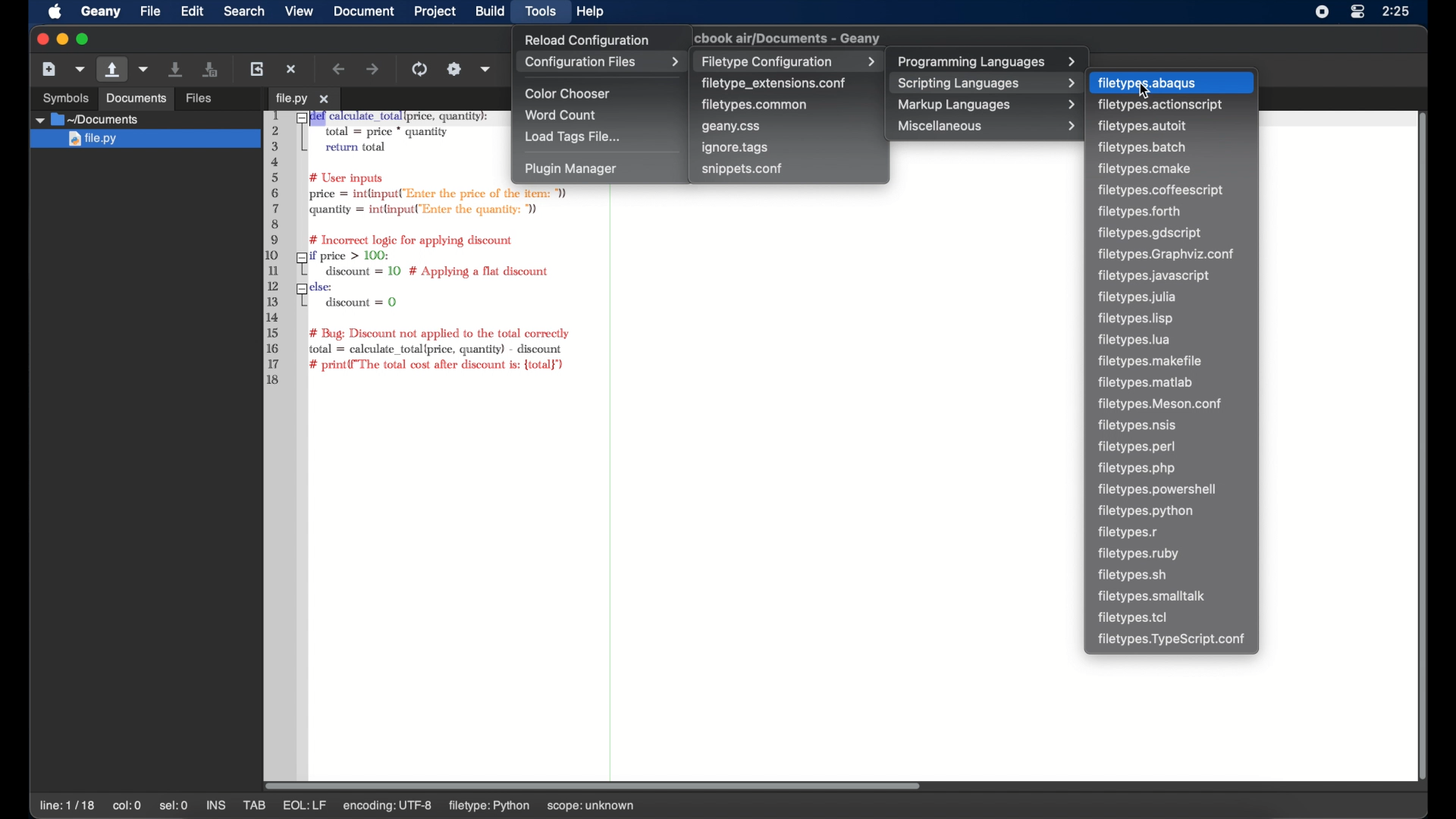  I want to click on geany, so click(792, 38).